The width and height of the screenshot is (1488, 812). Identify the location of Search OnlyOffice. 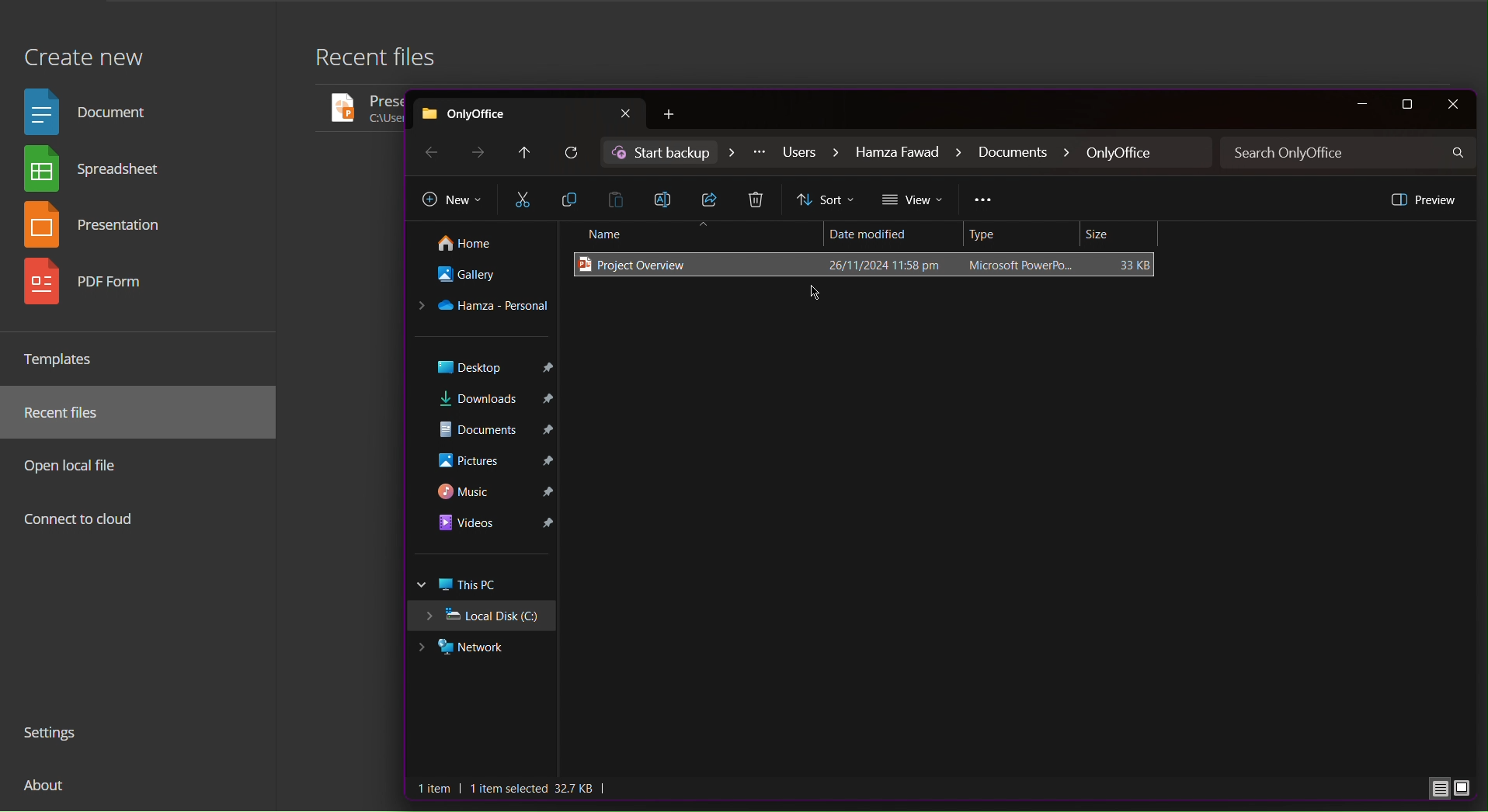
(1350, 153).